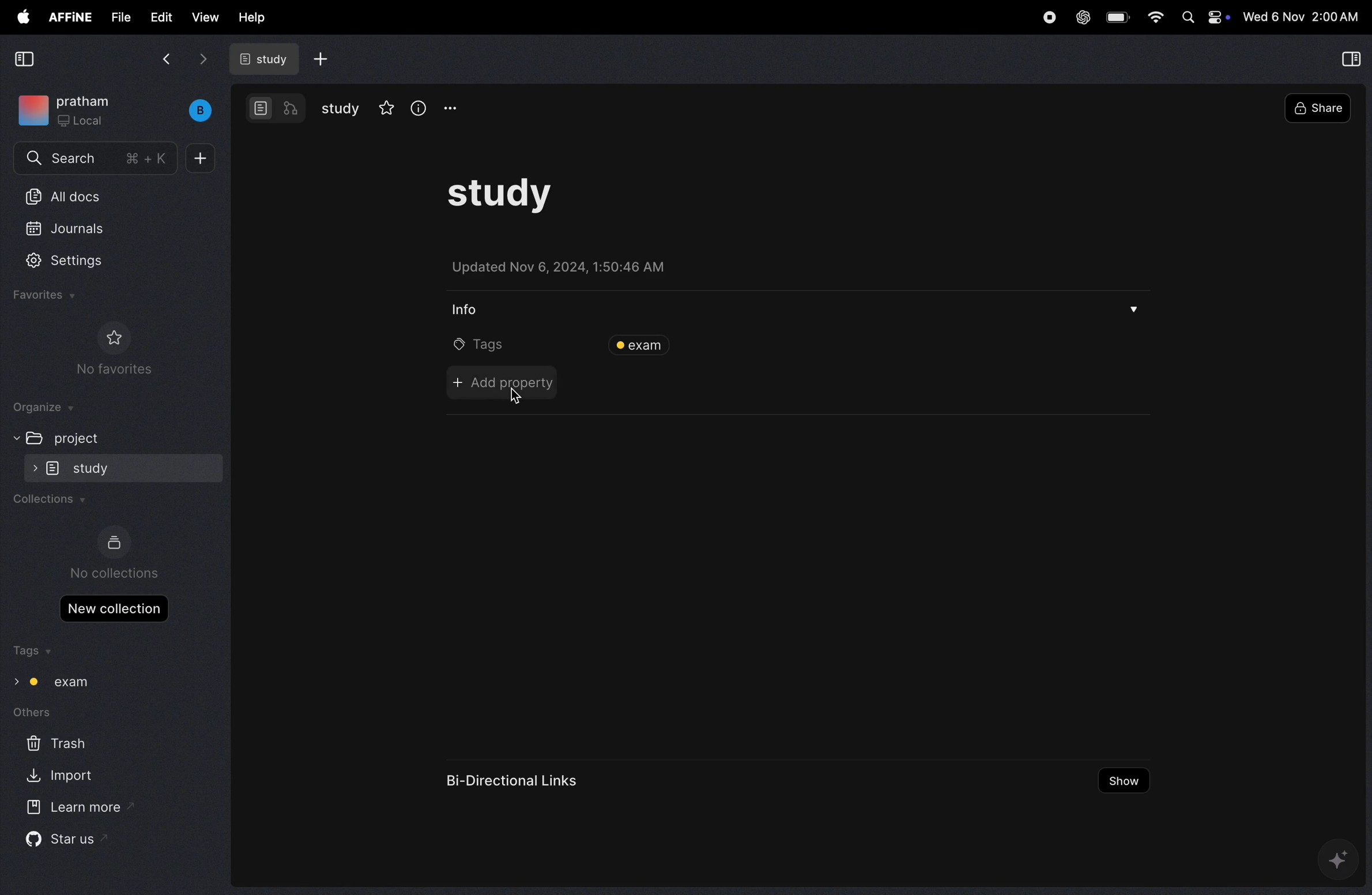 The image size is (1372, 895). What do you see at coordinates (35, 653) in the screenshot?
I see `tags` at bounding box center [35, 653].